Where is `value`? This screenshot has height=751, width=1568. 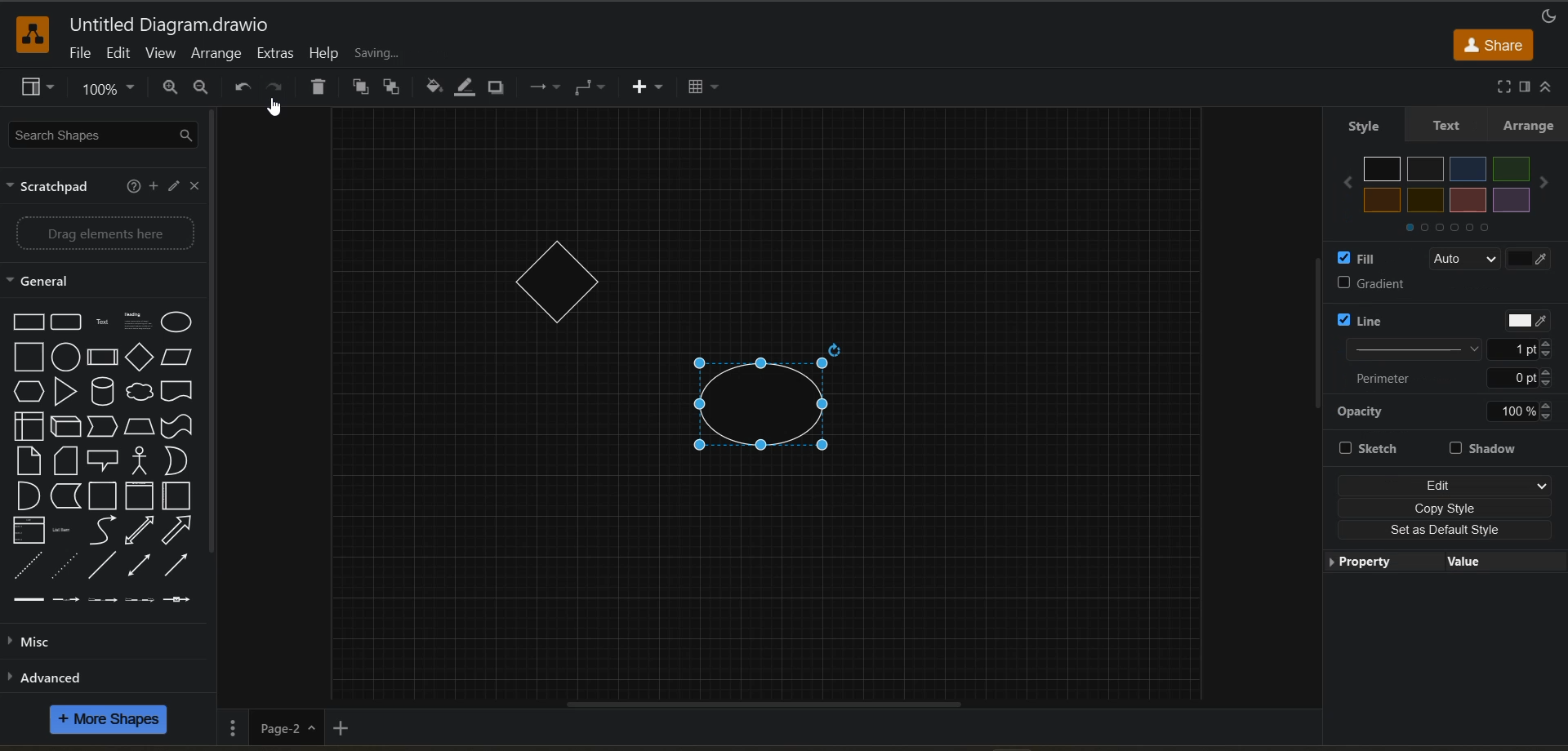
value is located at coordinates (1501, 562).